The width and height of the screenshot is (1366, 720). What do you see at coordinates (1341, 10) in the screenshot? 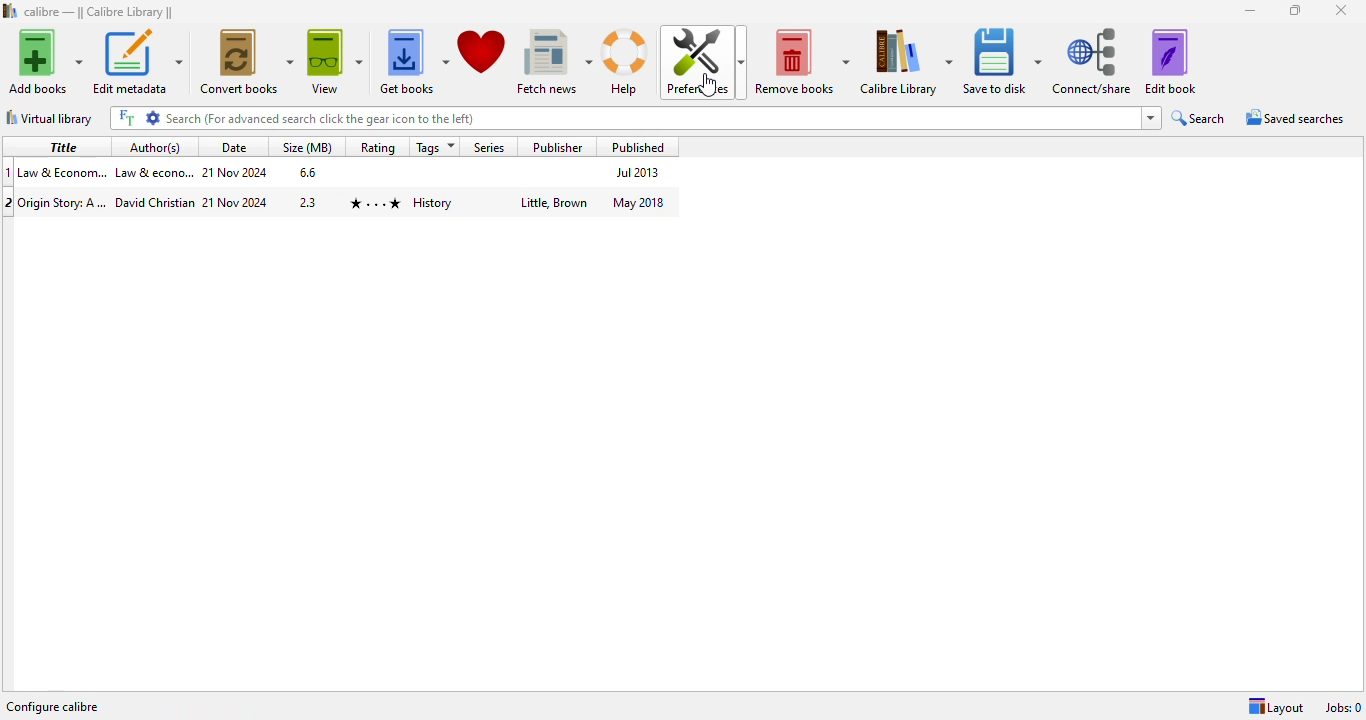
I see `close` at bounding box center [1341, 10].